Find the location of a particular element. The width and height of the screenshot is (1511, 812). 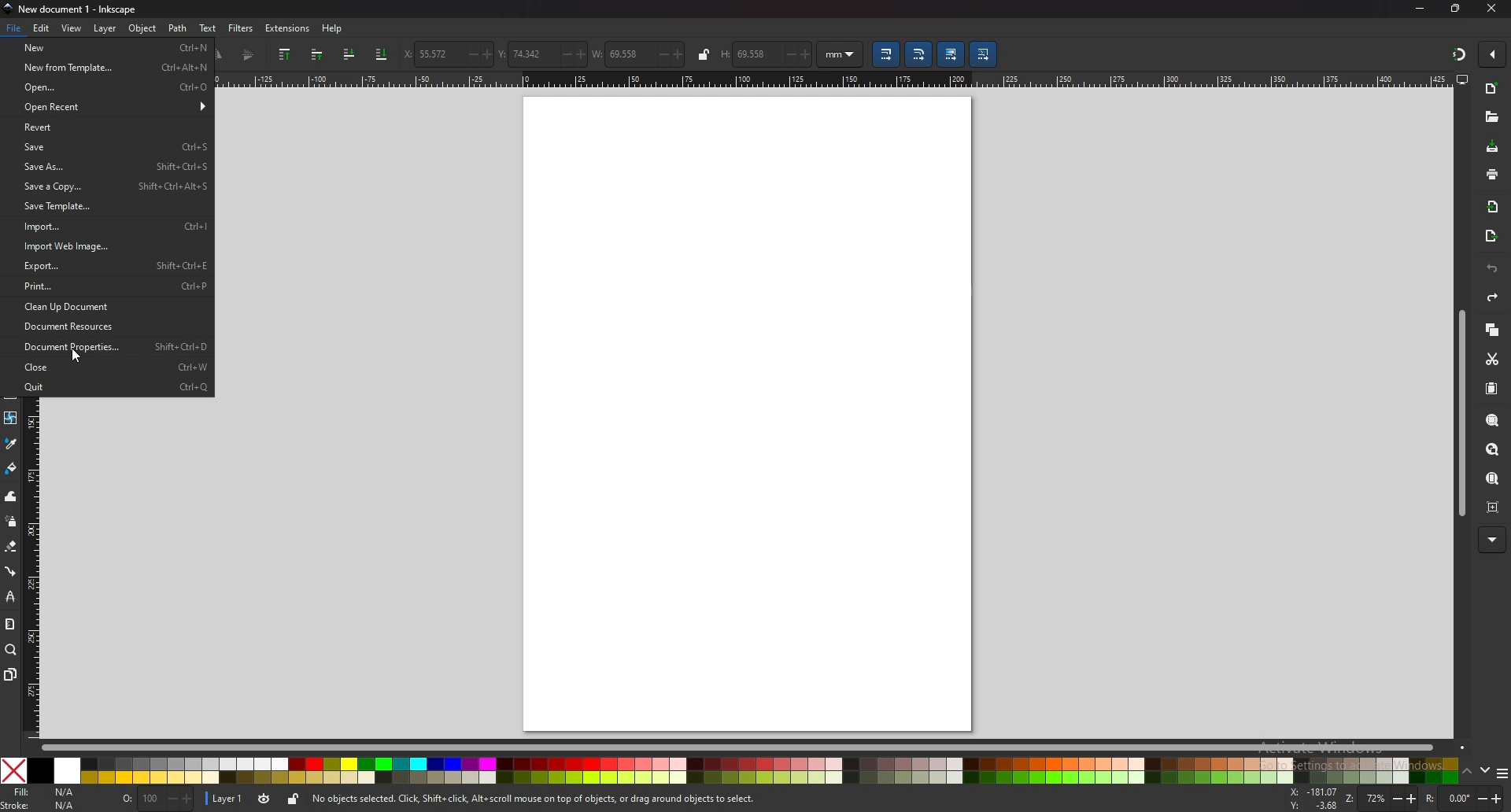

layer 1 is located at coordinates (224, 799).